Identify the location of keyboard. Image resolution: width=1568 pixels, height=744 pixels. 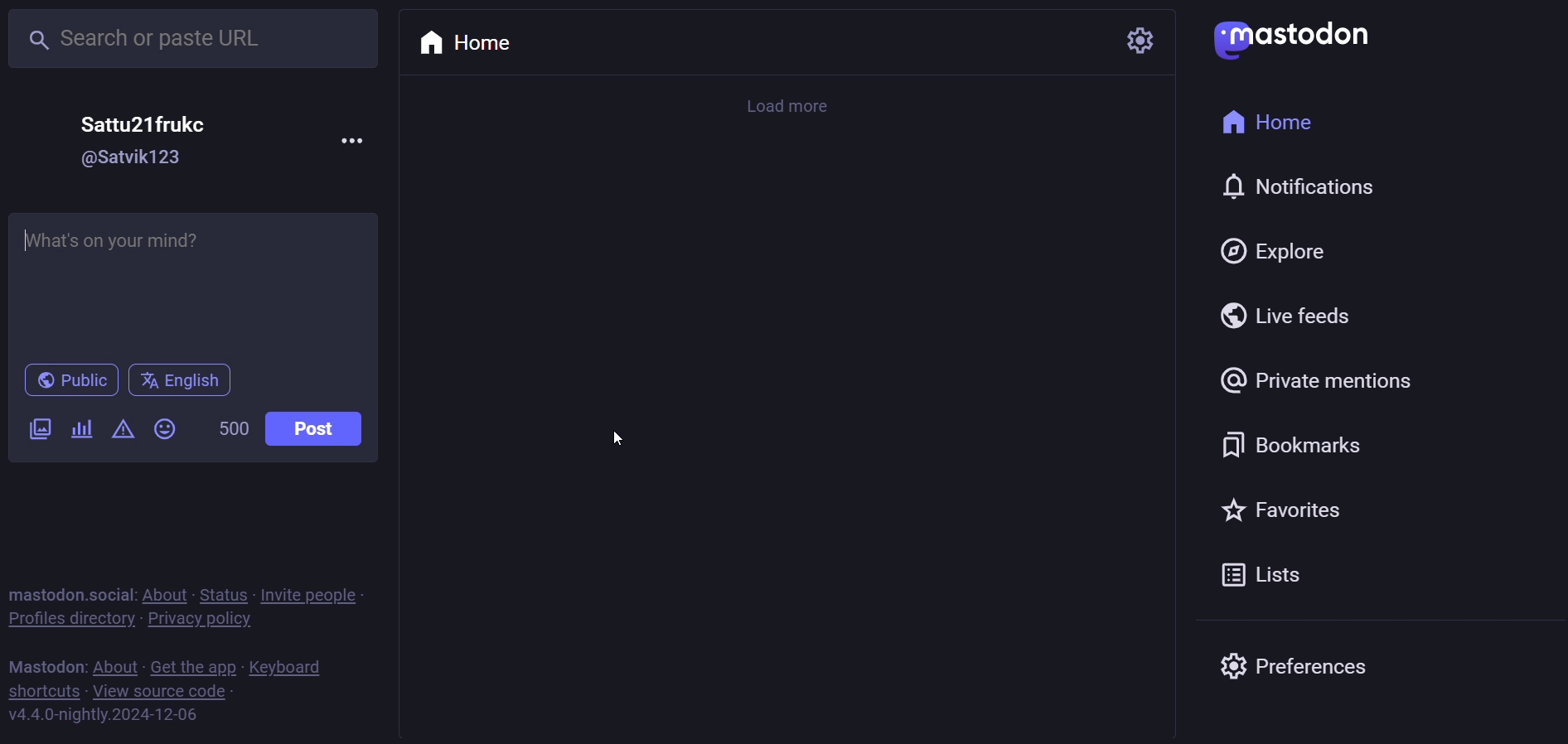
(290, 668).